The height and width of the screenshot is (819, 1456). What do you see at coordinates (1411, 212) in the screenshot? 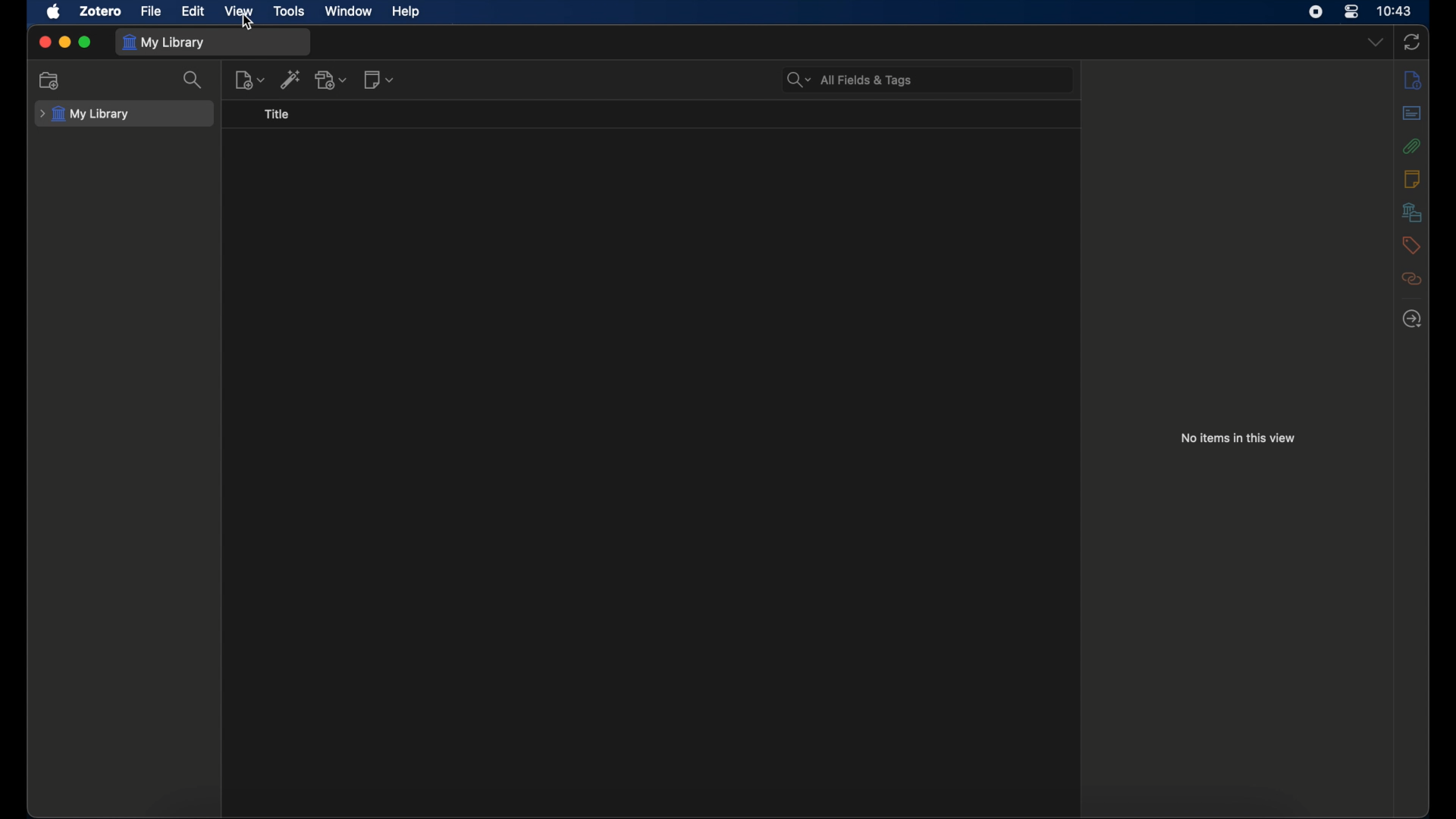
I see `libraries` at bounding box center [1411, 212].